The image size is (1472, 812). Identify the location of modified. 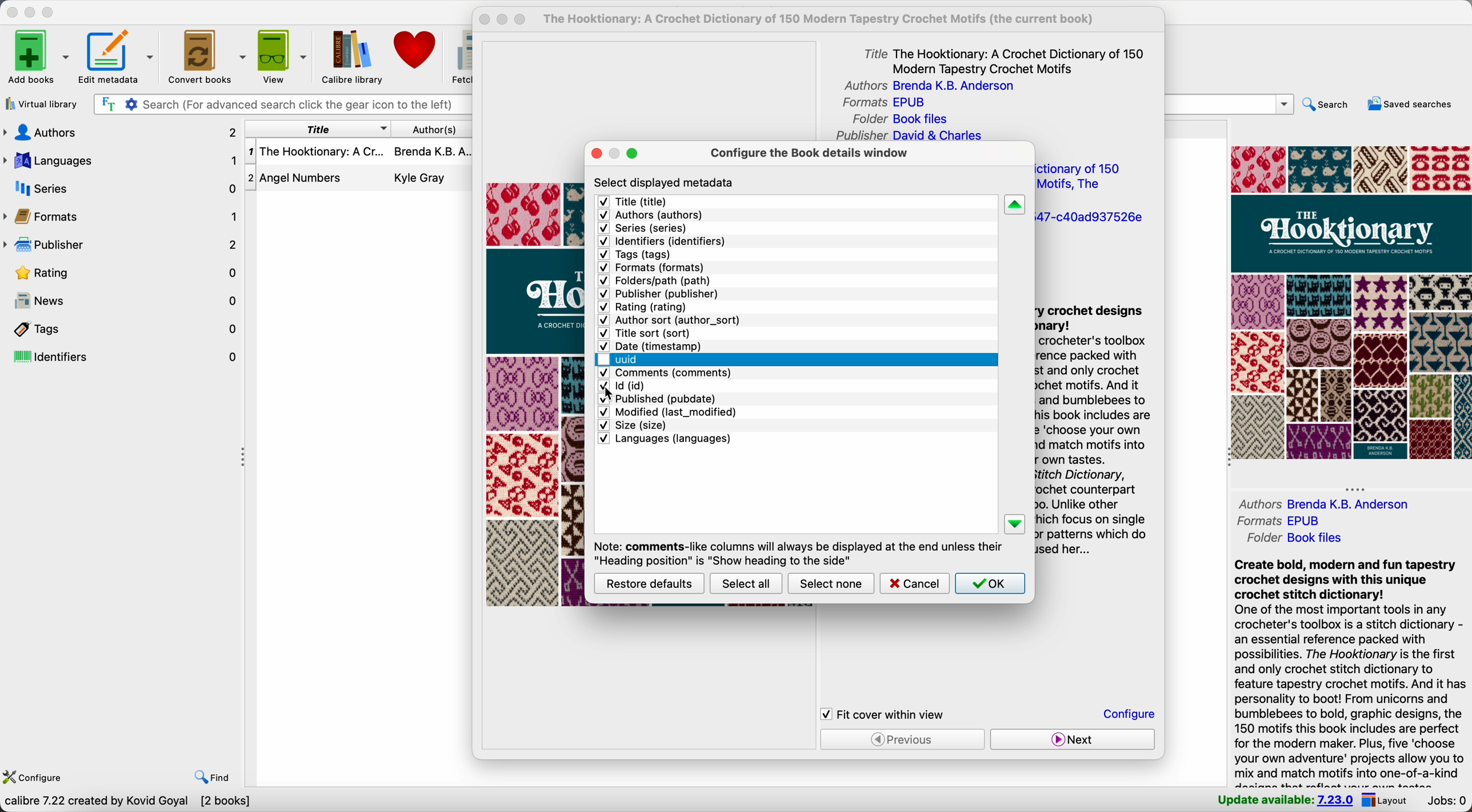
(667, 411).